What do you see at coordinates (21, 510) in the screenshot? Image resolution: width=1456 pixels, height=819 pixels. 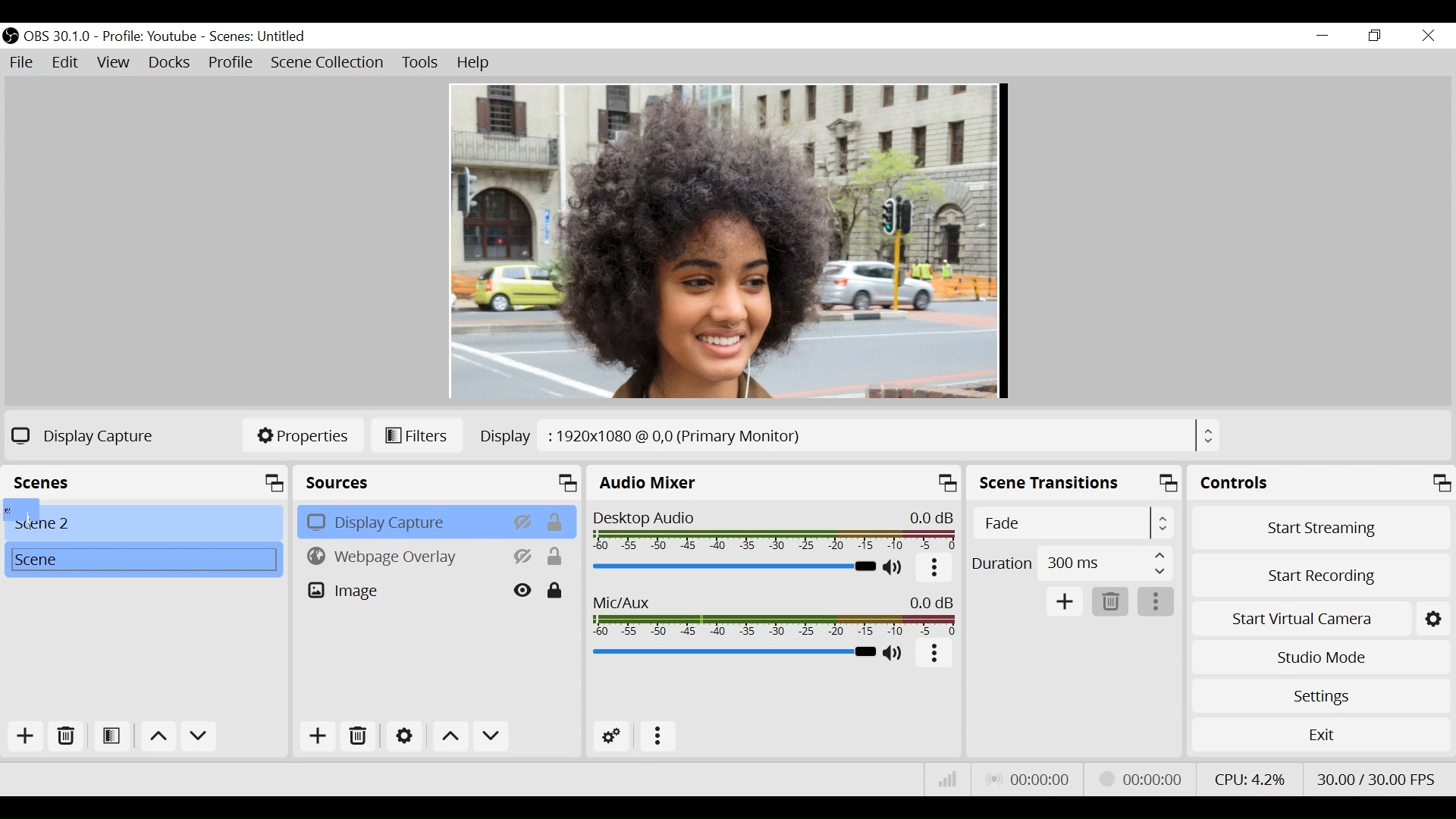 I see `Cursor` at bounding box center [21, 510].